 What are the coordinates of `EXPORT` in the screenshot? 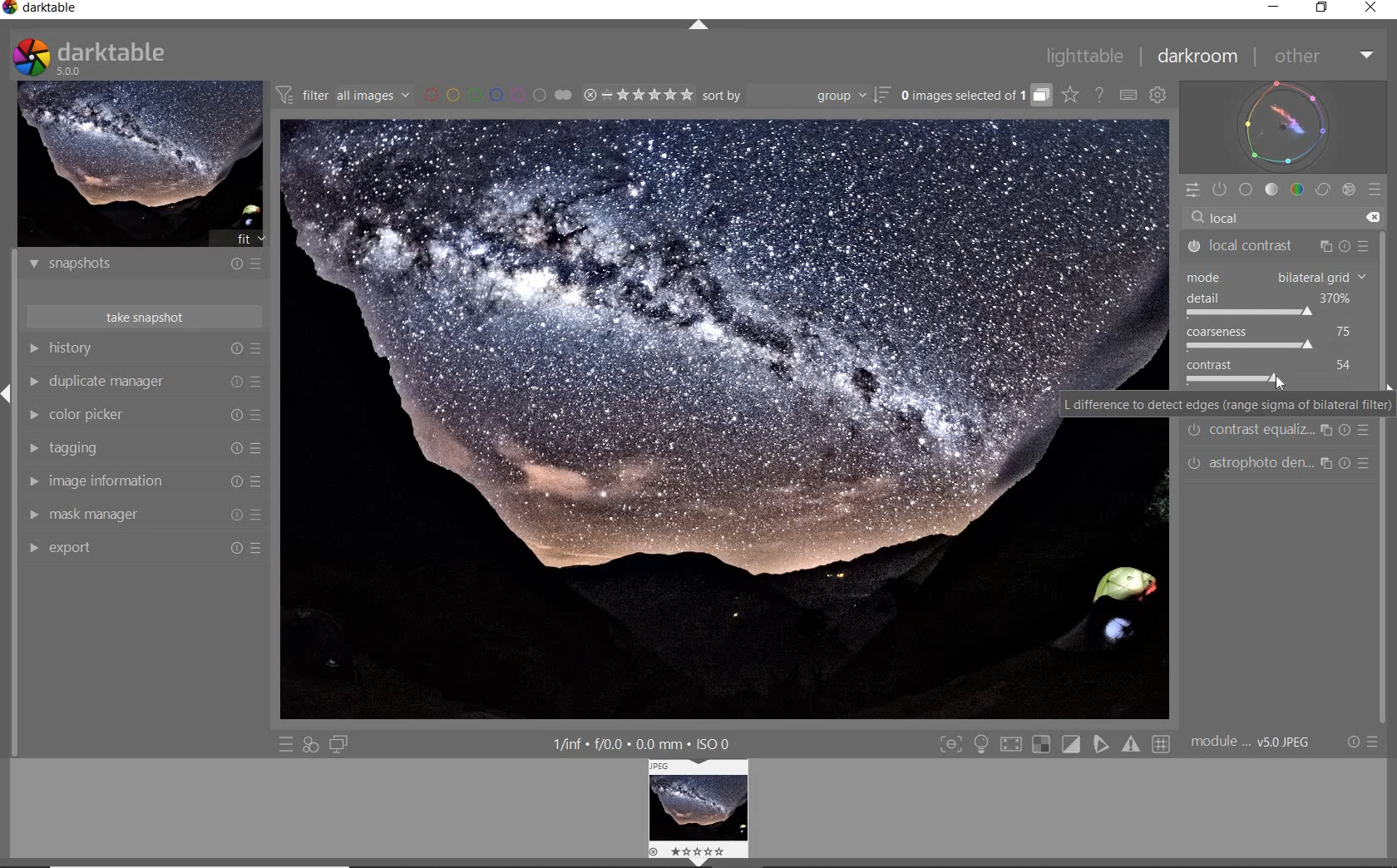 It's located at (32, 550).